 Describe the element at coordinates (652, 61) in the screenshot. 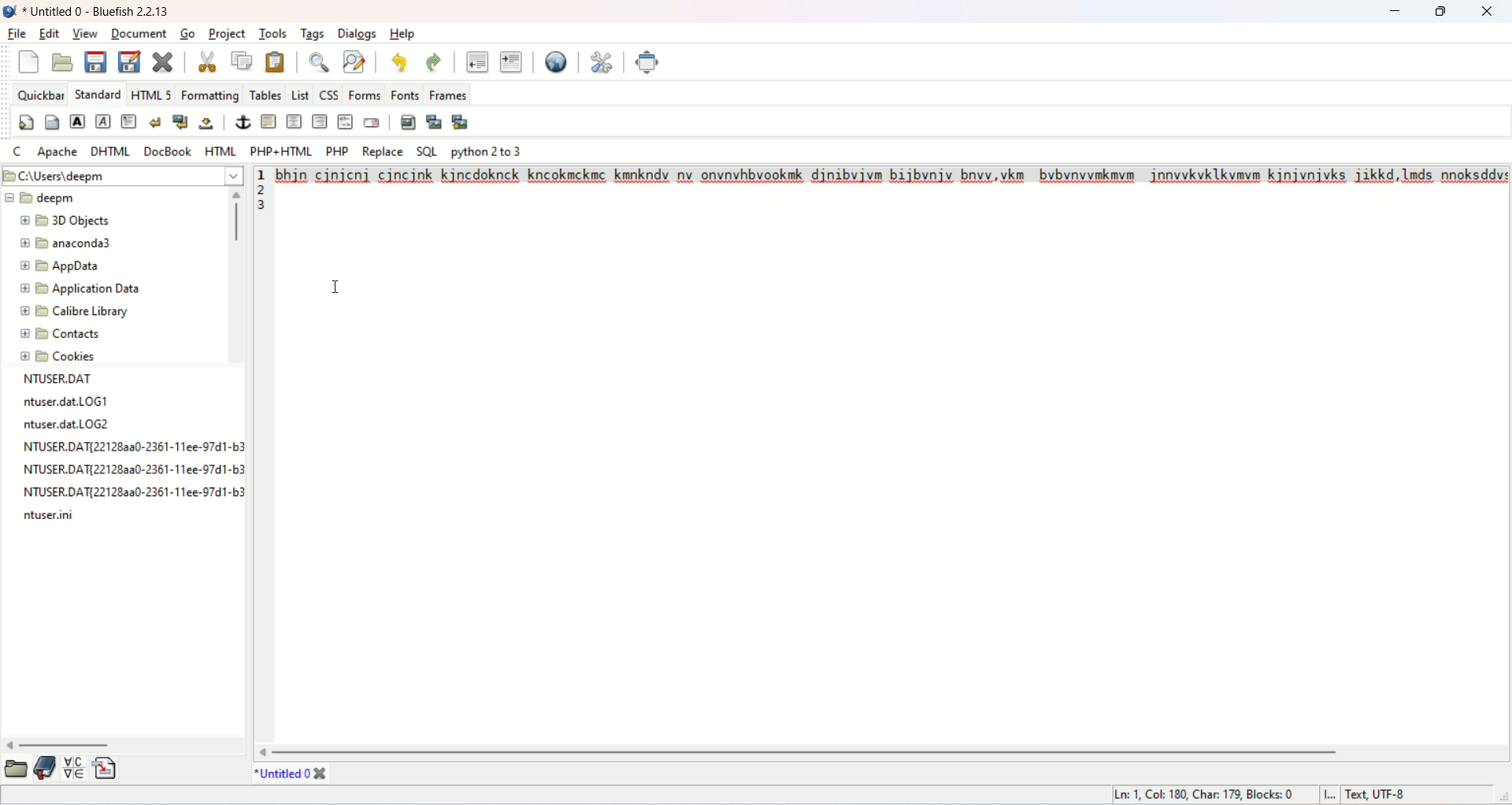

I see `fullscreen` at that location.